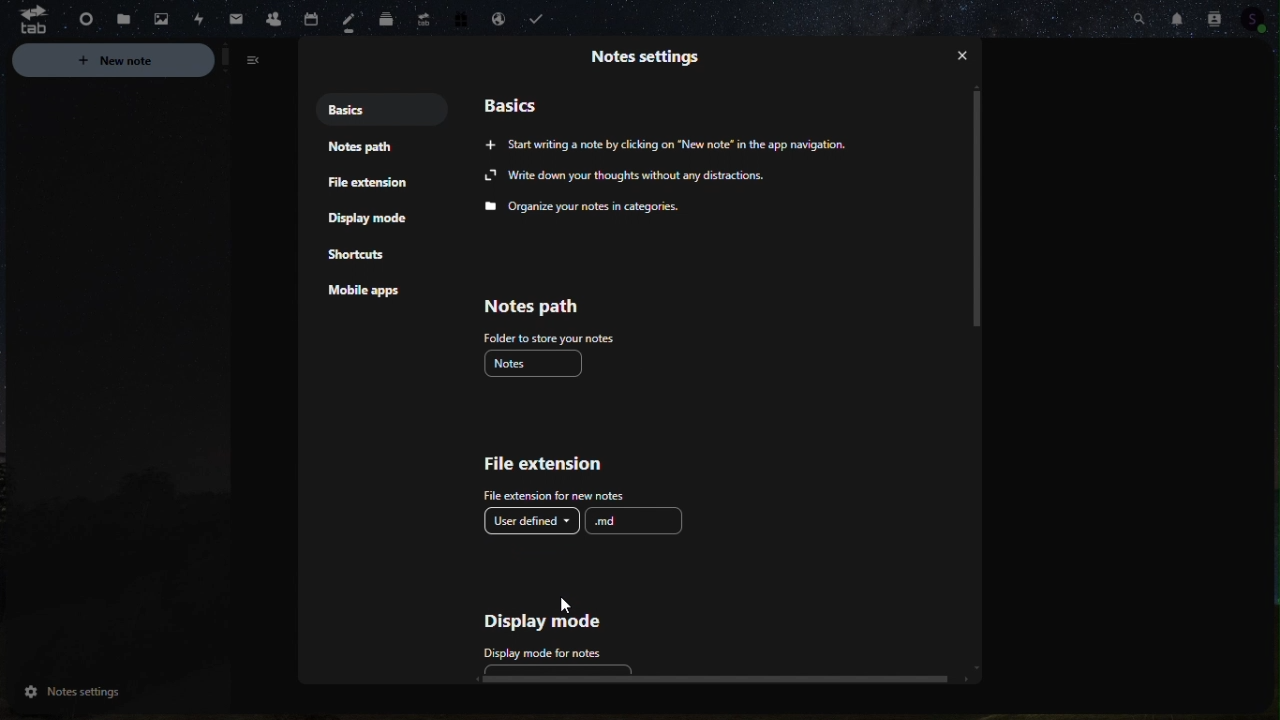 Image resolution: width=1280 pixels, height=720 pixels. Describe the element at coordinates (1175, 16) in the screenshot. I see `notifications` at that location.